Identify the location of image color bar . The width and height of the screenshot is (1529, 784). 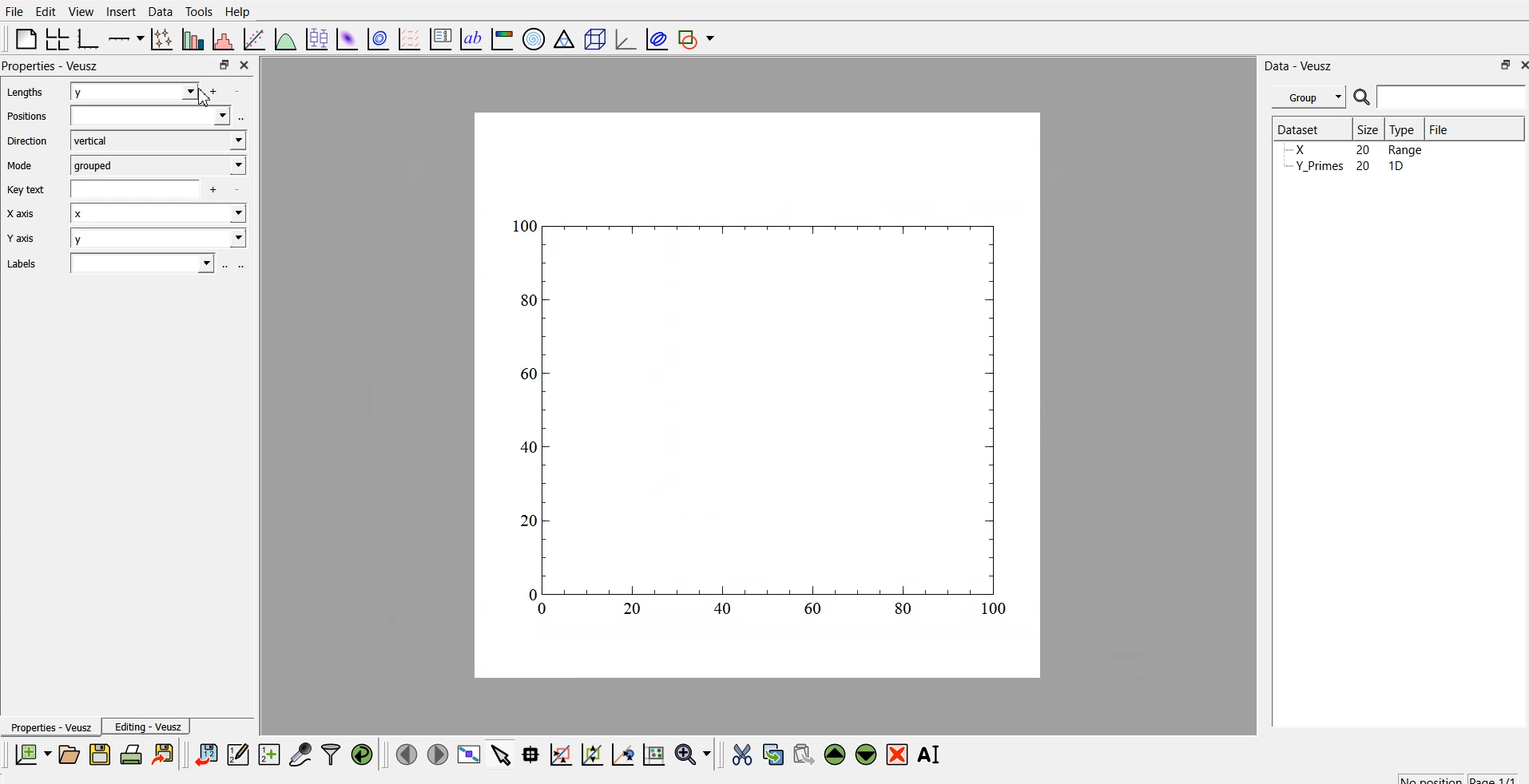
(502, 41).